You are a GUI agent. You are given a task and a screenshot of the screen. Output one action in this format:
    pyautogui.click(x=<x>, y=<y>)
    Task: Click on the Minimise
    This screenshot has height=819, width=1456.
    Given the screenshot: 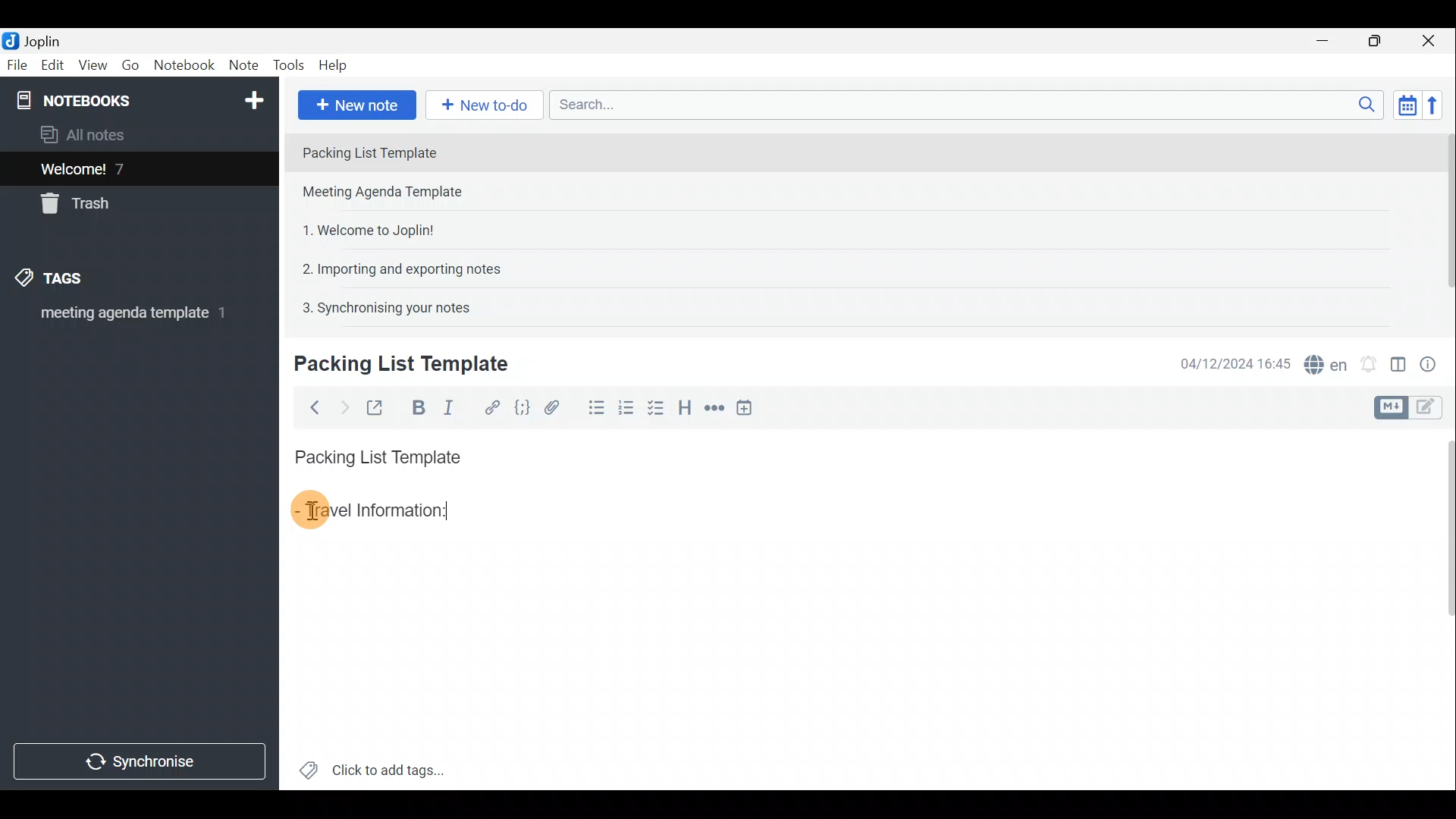 What is the action you would take?
    pyautogui.click(x=1330, y=43)
    